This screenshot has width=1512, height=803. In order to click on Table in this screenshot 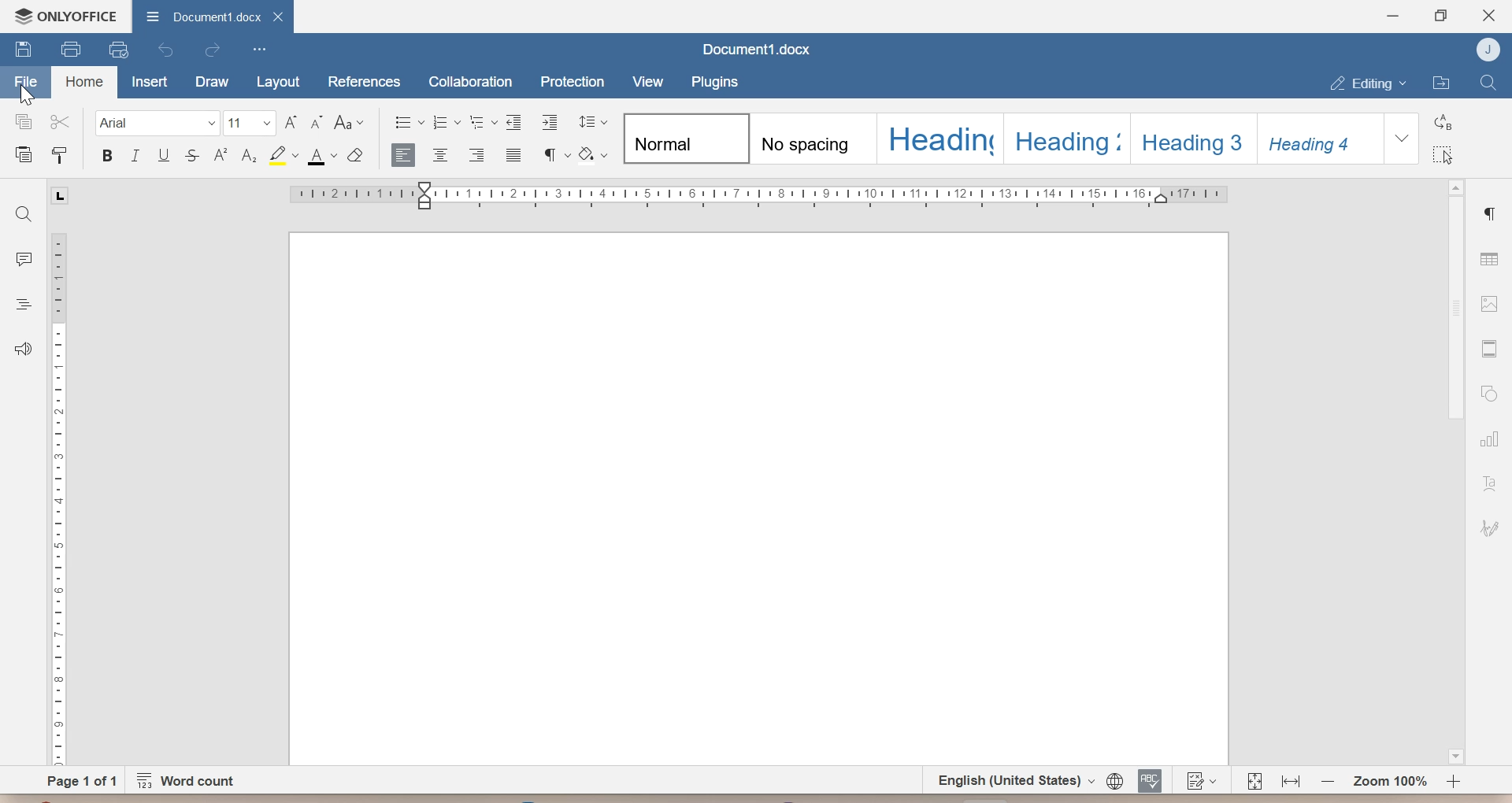, I will do `click(1489, 256)`.